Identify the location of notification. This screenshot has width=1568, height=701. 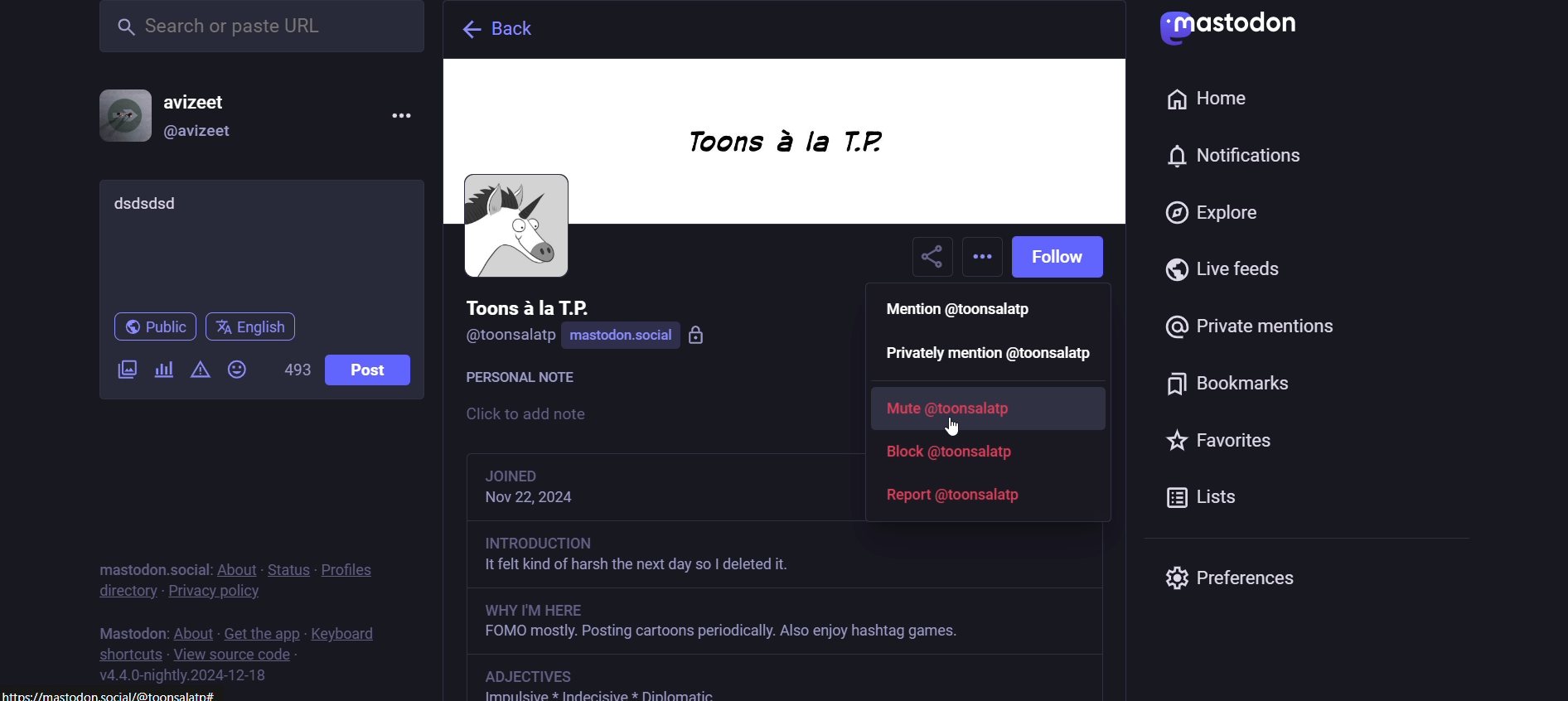
(1228, 162).